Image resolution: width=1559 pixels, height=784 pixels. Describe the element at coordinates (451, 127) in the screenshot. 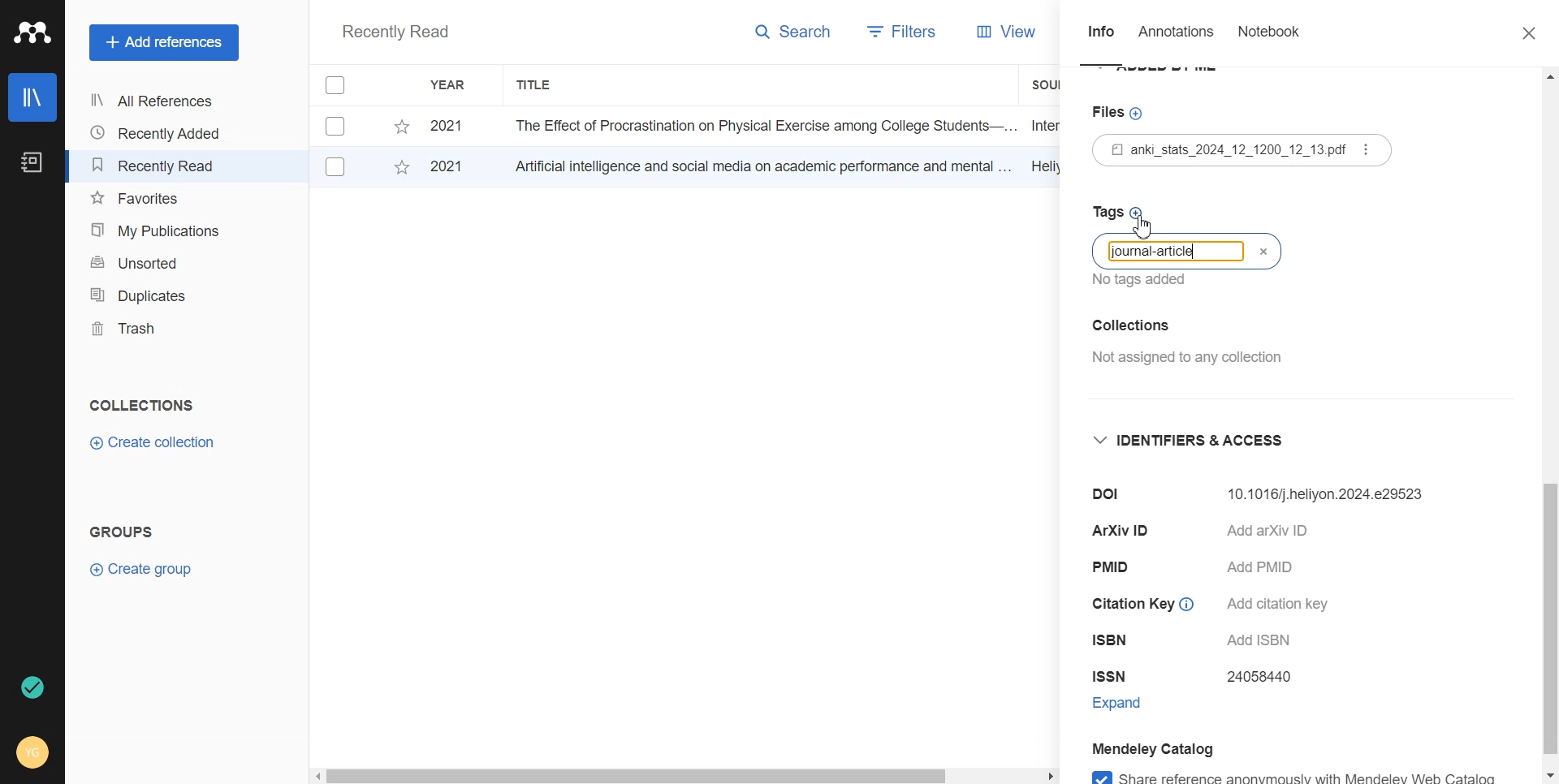

I see `2021` at that location.